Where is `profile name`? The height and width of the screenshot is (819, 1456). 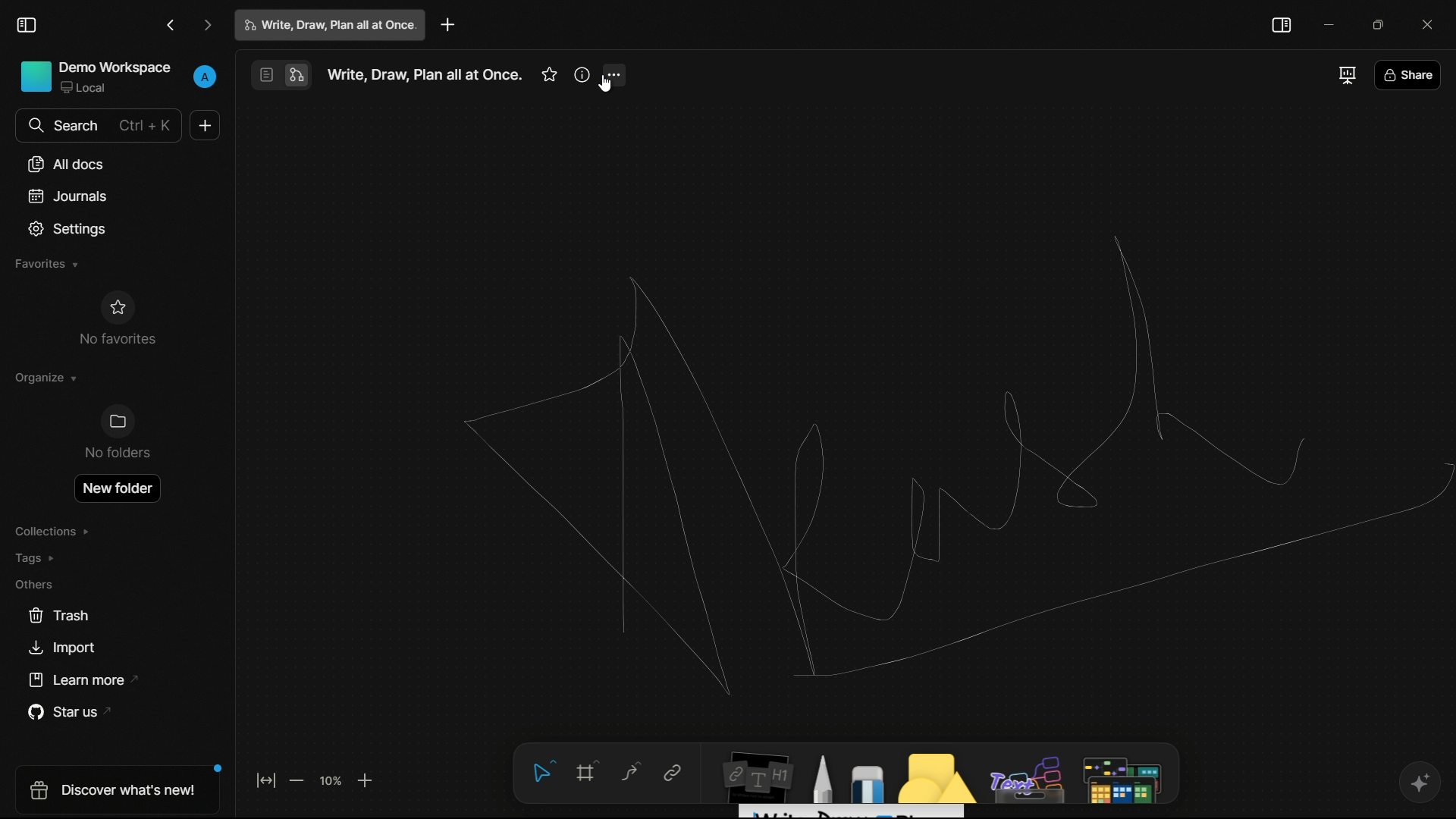
profile name is located at coordinates (206, 78).